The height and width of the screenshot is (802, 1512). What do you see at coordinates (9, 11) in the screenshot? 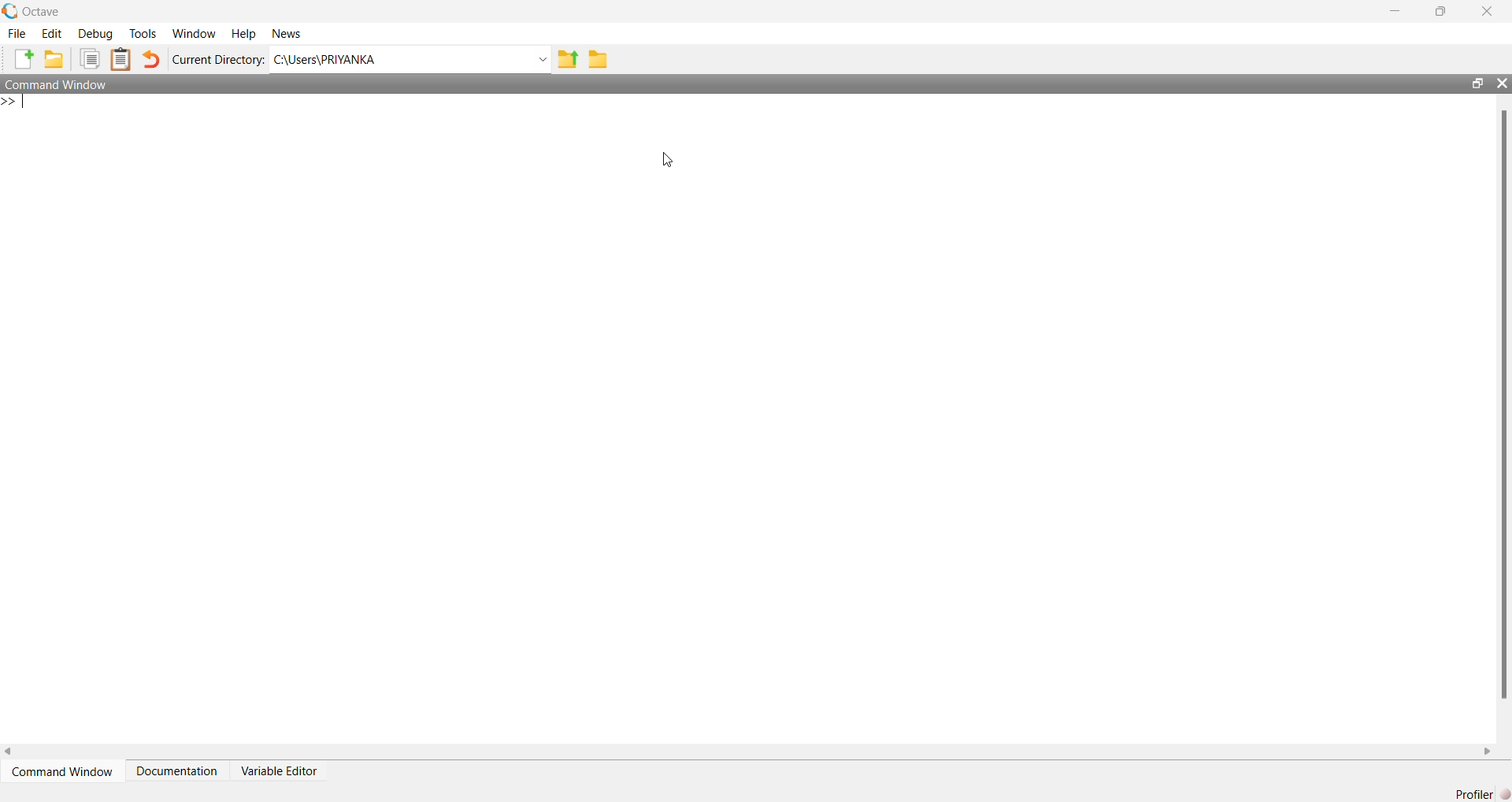
I see `logo` at bounding box center [9, 11].